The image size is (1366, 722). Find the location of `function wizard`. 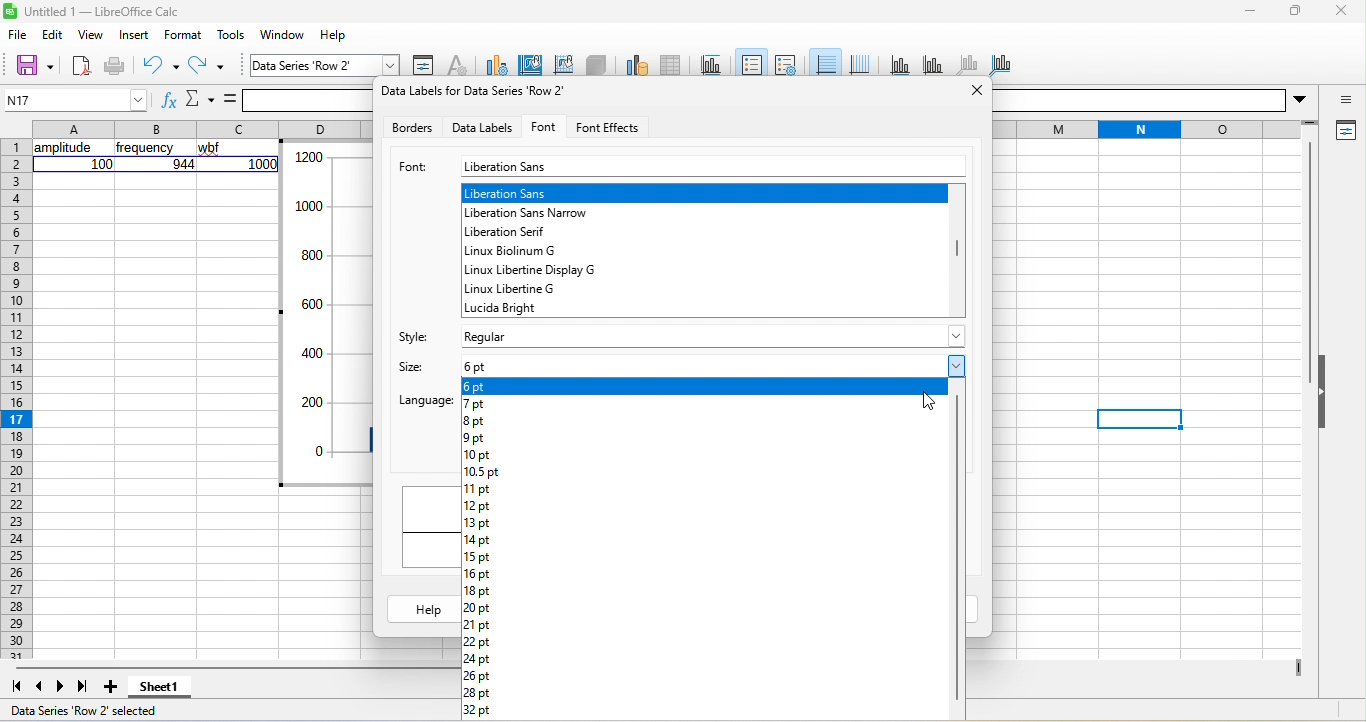

function wizard is located at coordinates (164, 99).